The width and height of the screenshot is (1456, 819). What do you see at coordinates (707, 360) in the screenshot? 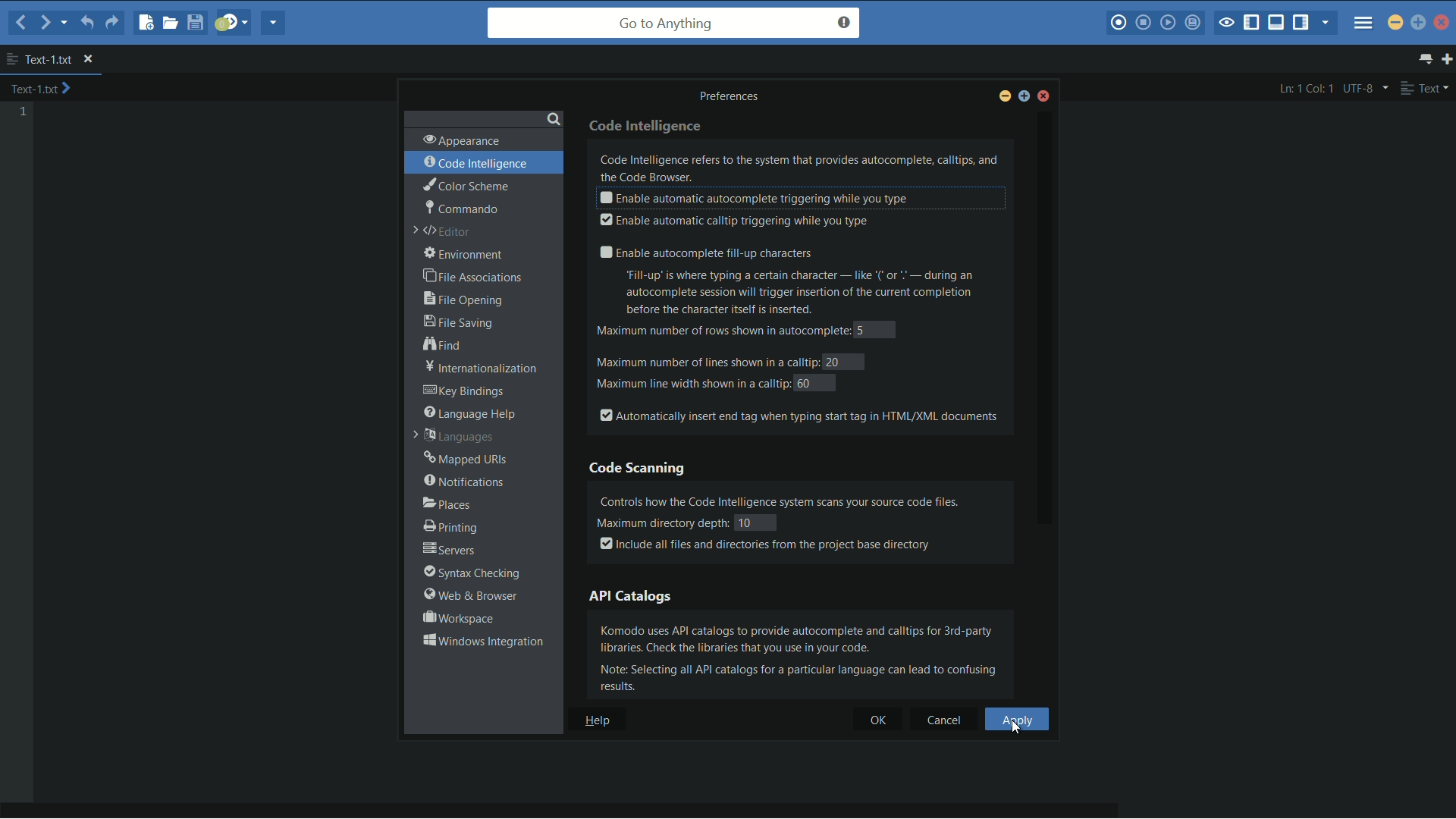
I see `maximum number of lines shown in a calltip:` at bounding box center [707, 360].